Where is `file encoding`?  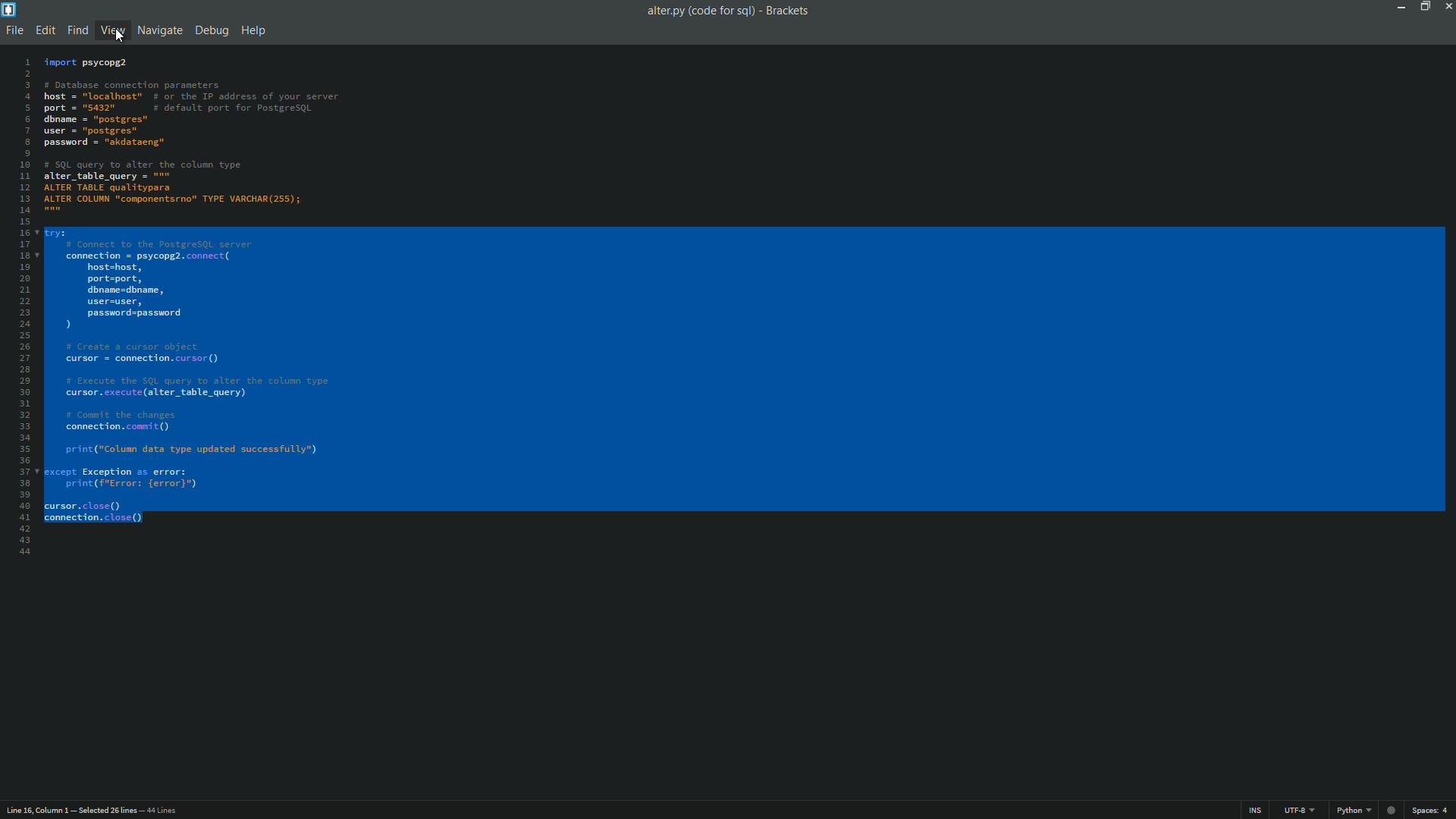
file encoding is located at coordinates (1298, 811).